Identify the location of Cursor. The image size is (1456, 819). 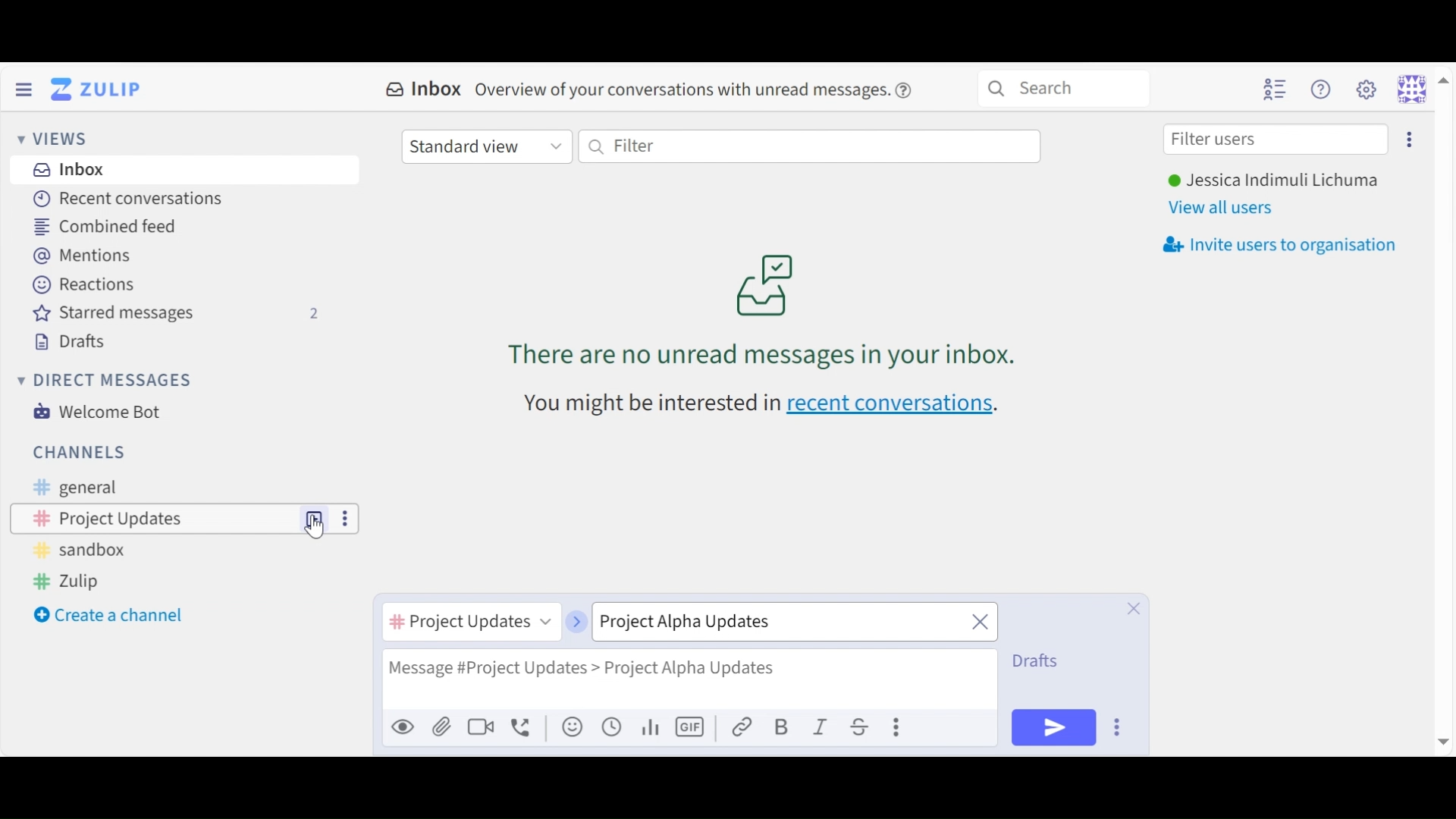
(317, 532).